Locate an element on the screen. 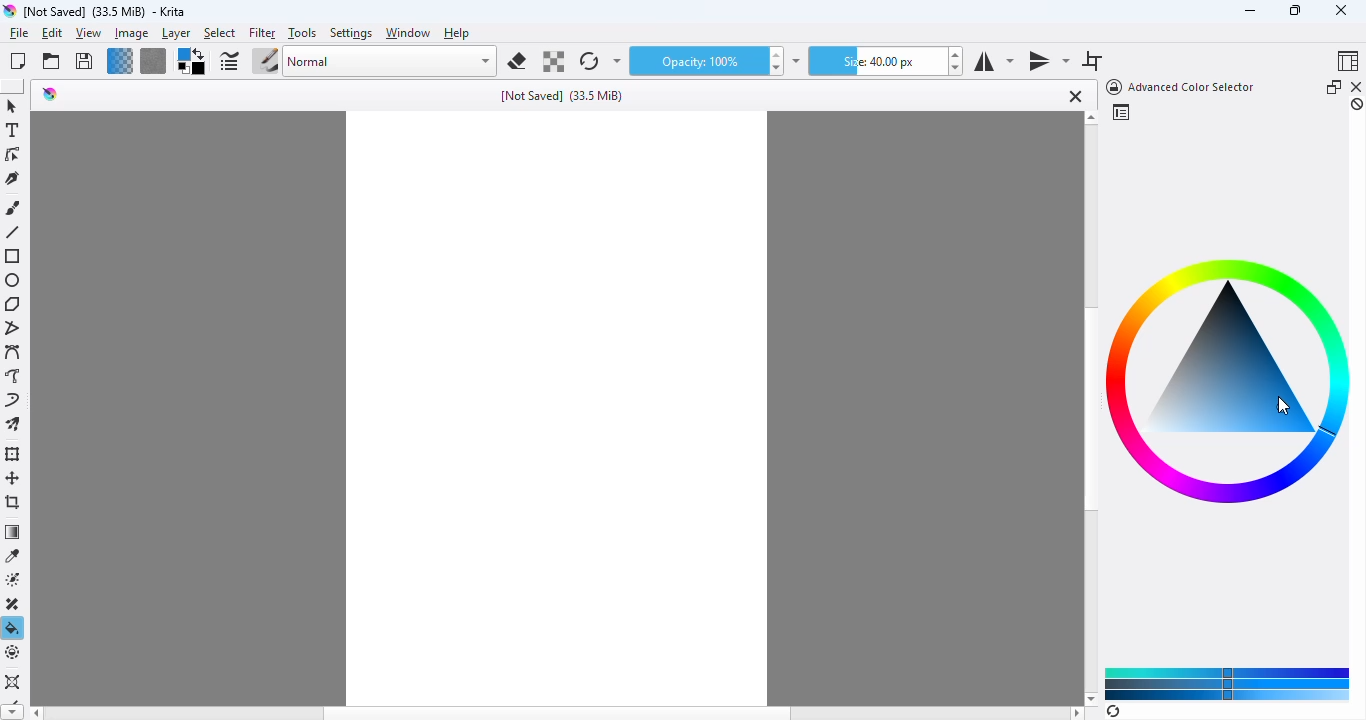  scroll down is located at coordinates (12, 712).